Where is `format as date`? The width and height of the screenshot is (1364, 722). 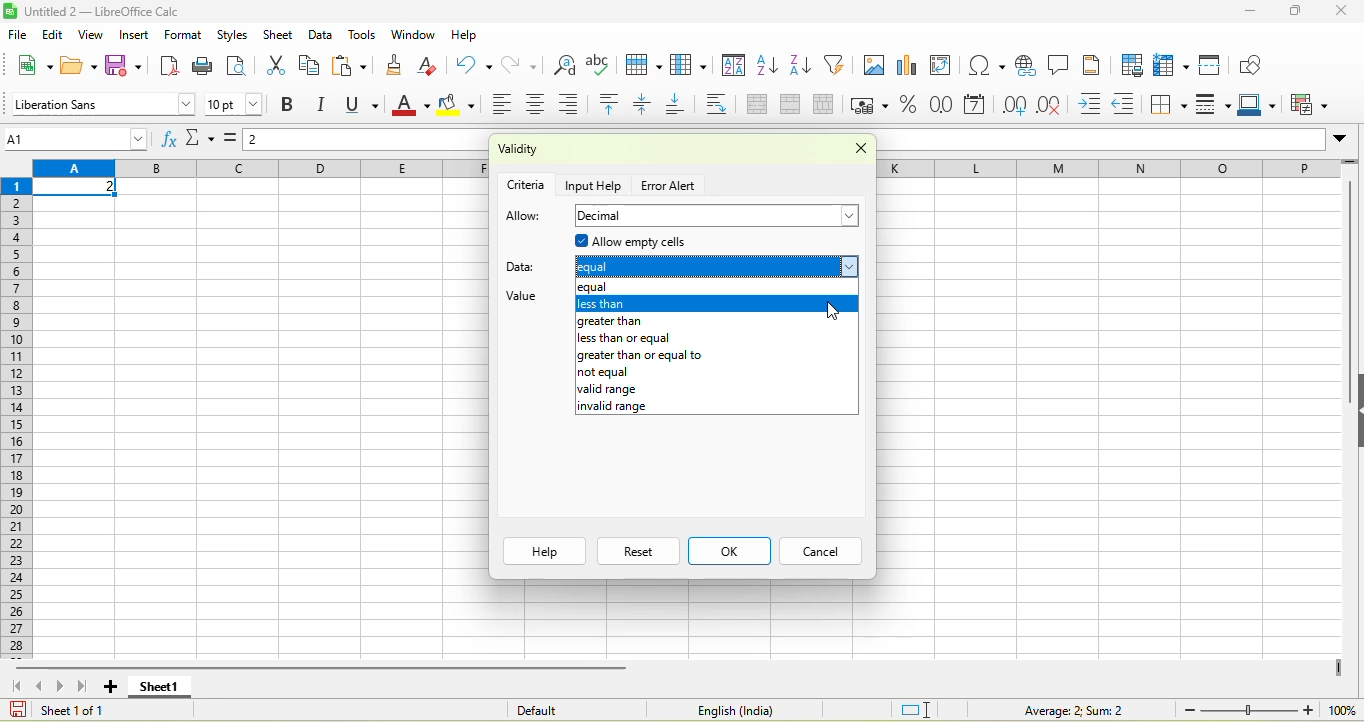
format as date is located at coordinates (976, 106).